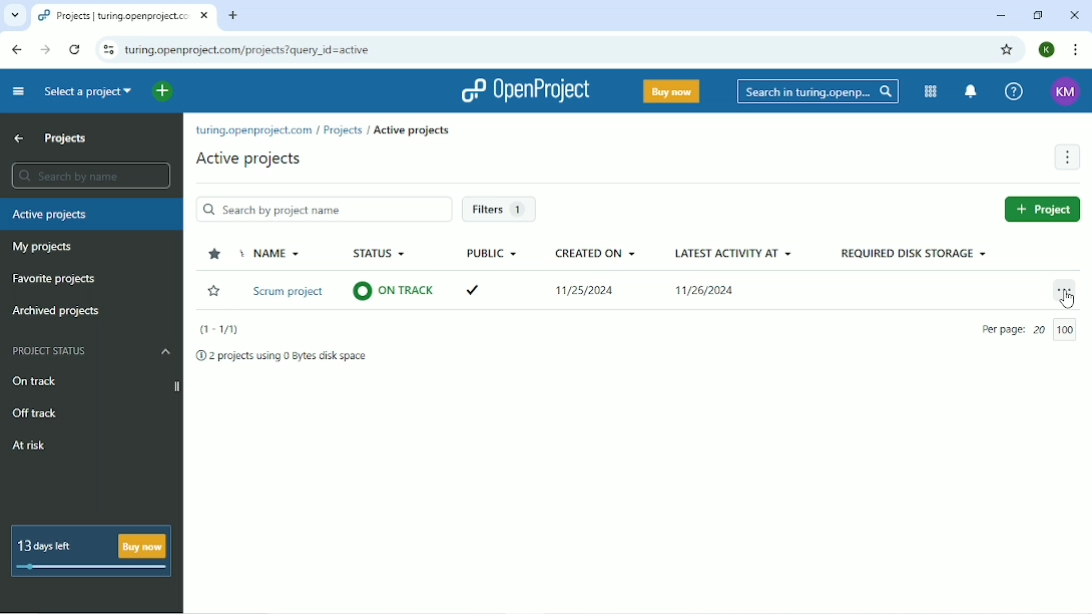 This screenshot has height=614, width=1092. Describe the element at coordinates (19, 92) in the screenshot. I see `Collapse project menu` at that location.